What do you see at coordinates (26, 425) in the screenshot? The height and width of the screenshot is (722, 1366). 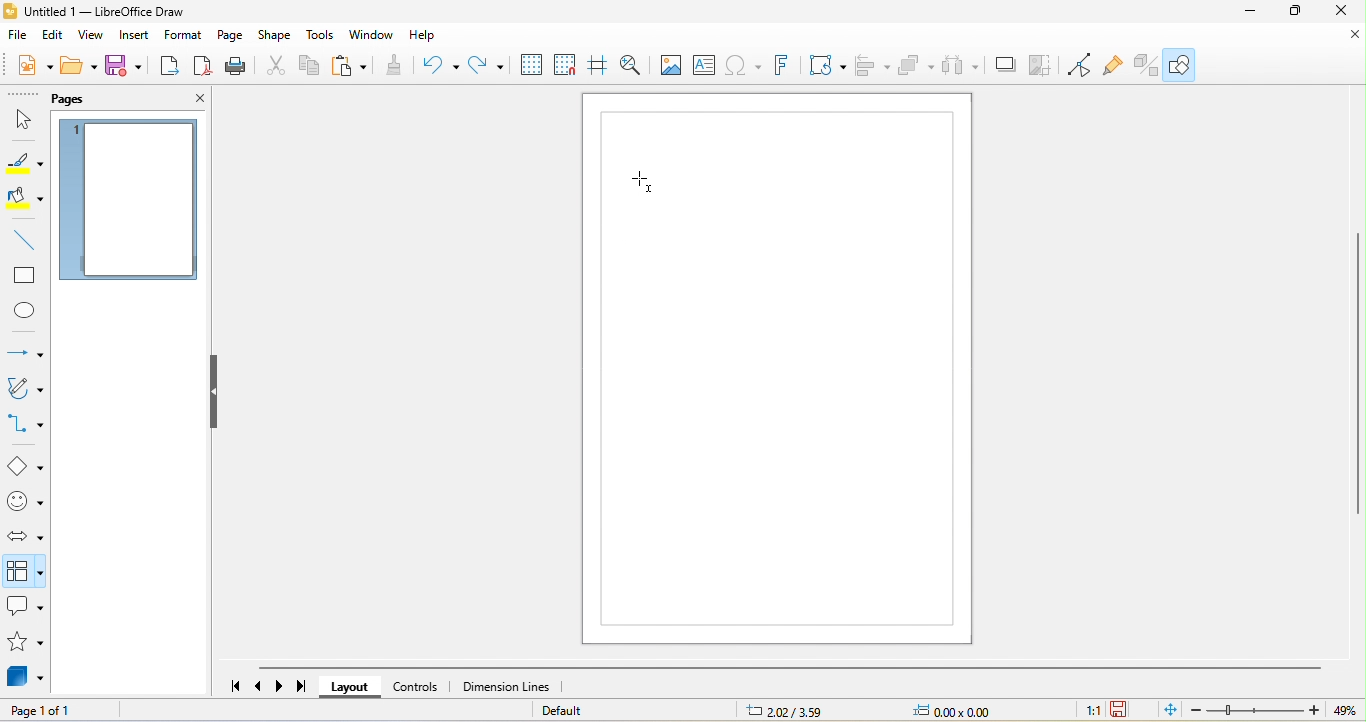 I see `connectors` at bounding box center [26, 425].